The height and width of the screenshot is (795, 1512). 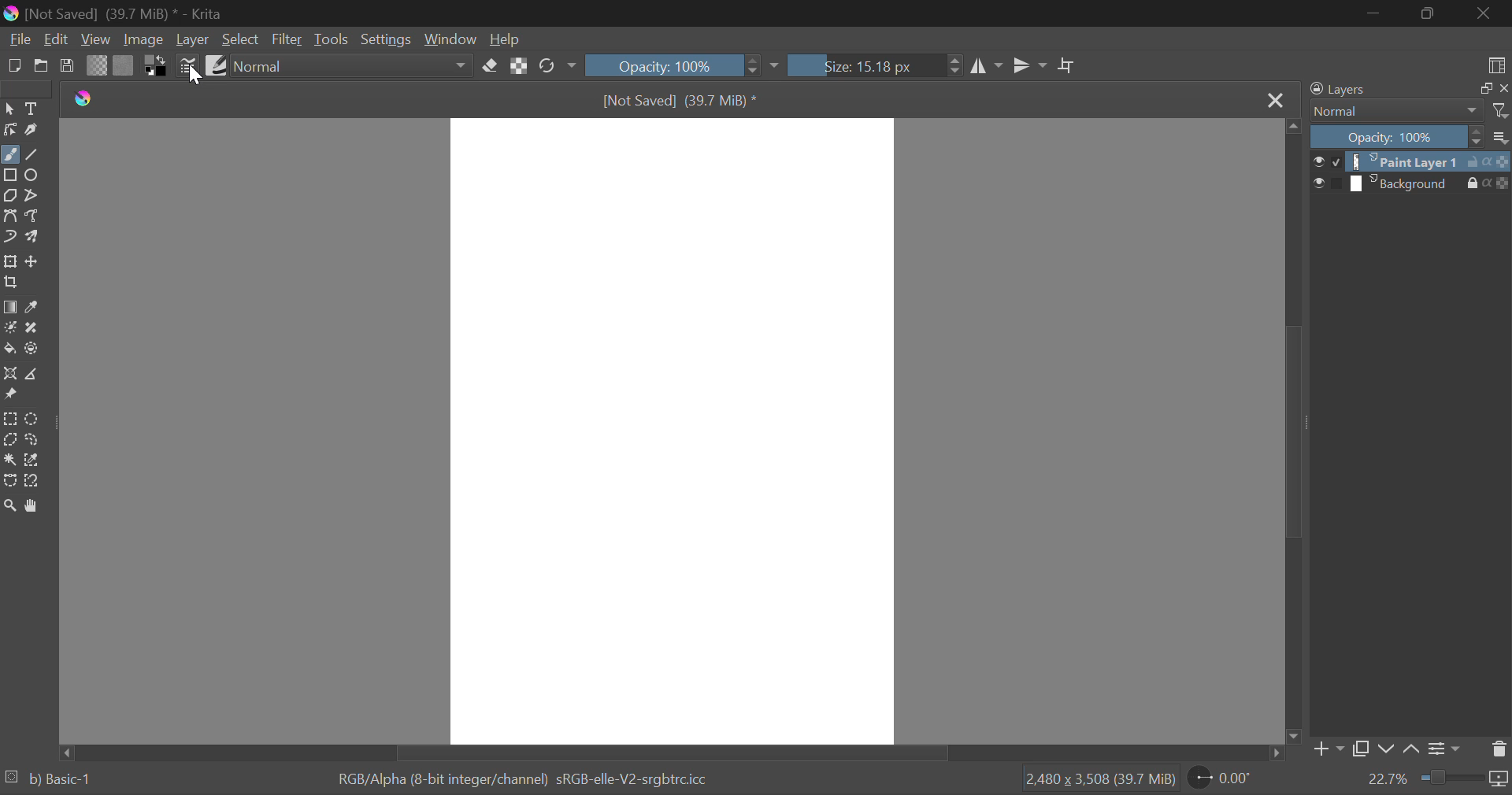 What do you see at coordinates (145, 40) in the screenshot?
I see `Image` at bounding box center [145, 40].